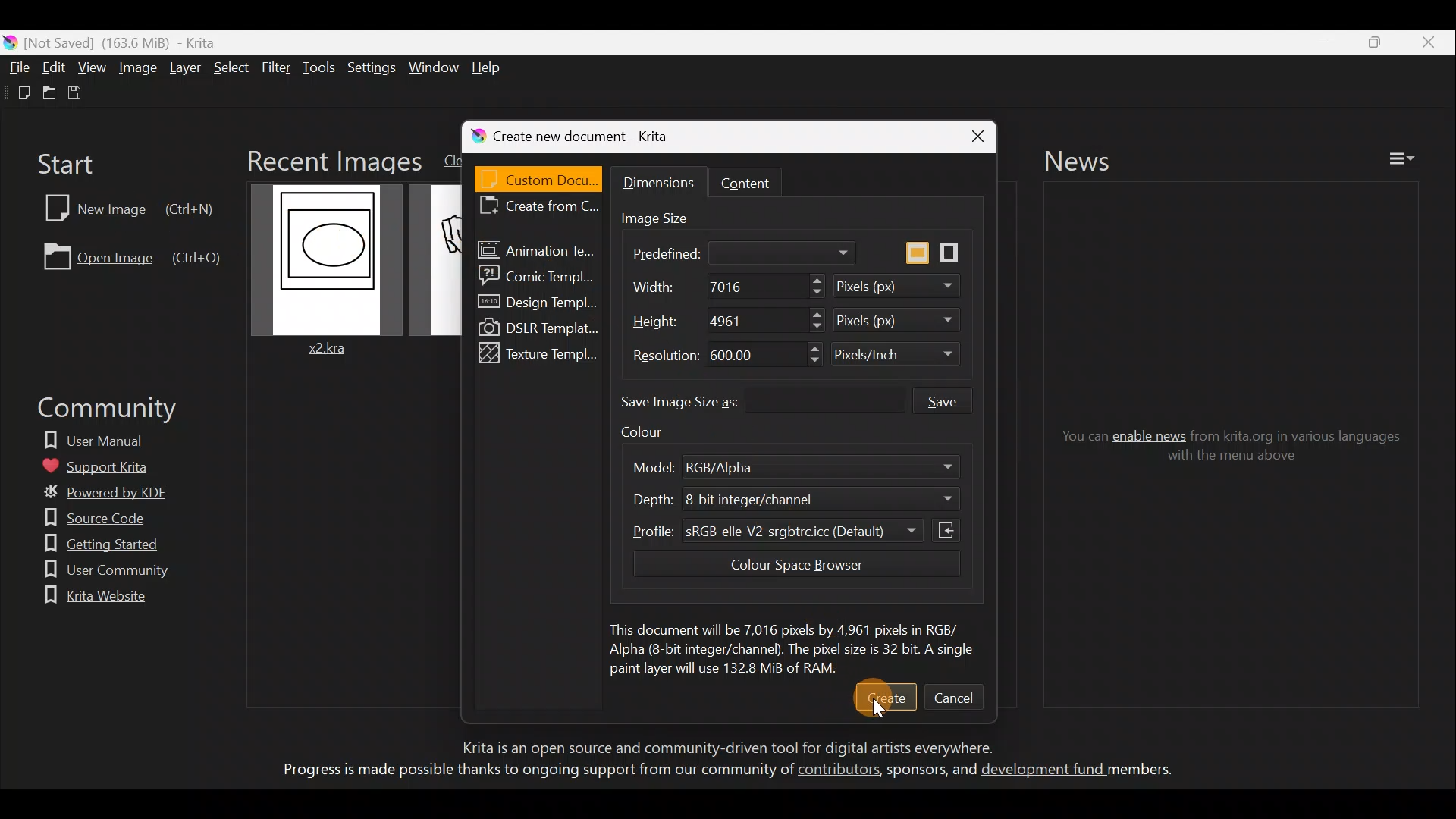 This screenshot has width=1456, height=819. Describe the element at coordinates (959, 400) in the screenshot. I see `Save` at that location.